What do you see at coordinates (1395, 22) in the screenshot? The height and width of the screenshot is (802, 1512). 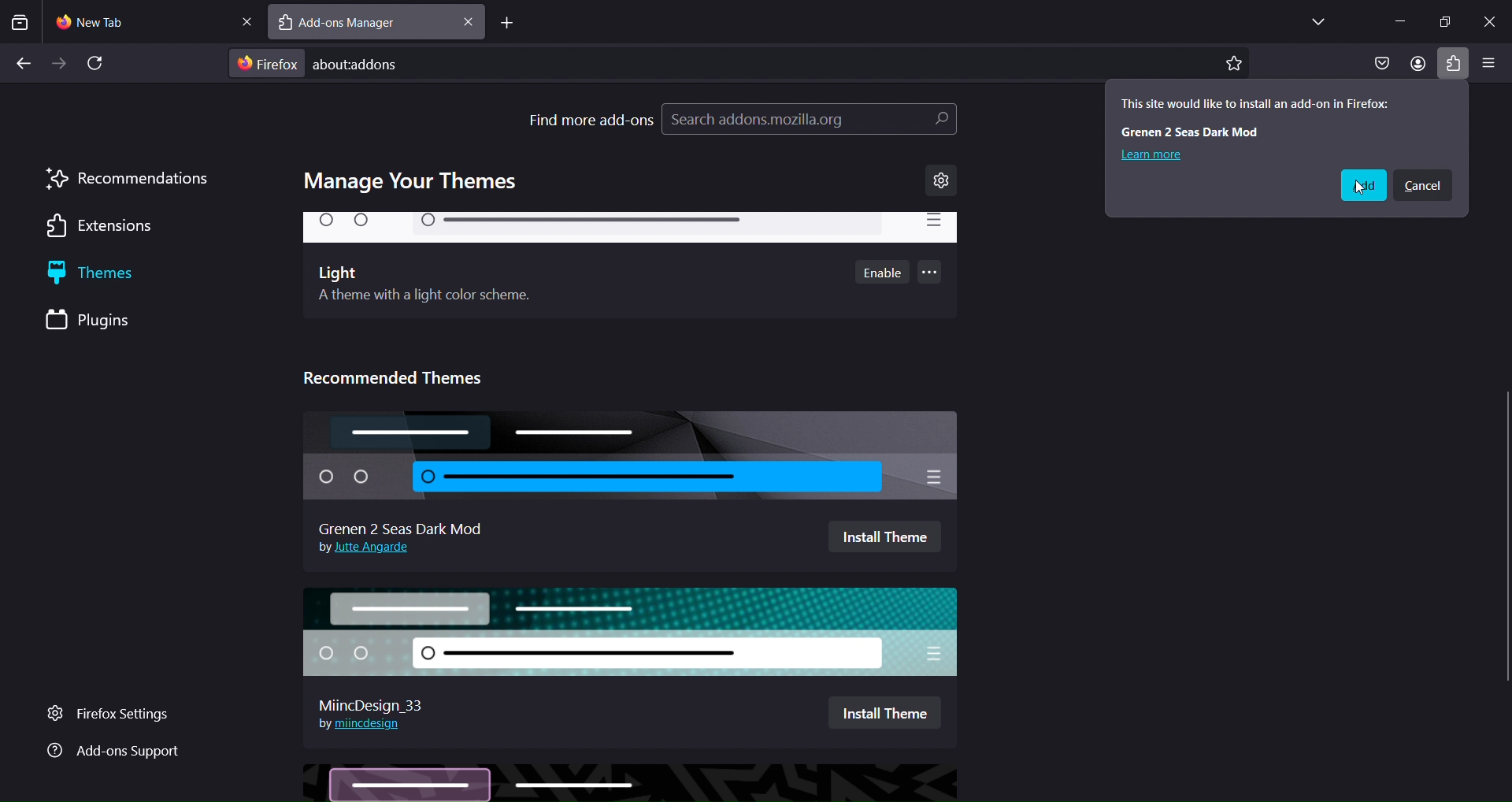 I see `minimize` at bounding box center [1395, 22].